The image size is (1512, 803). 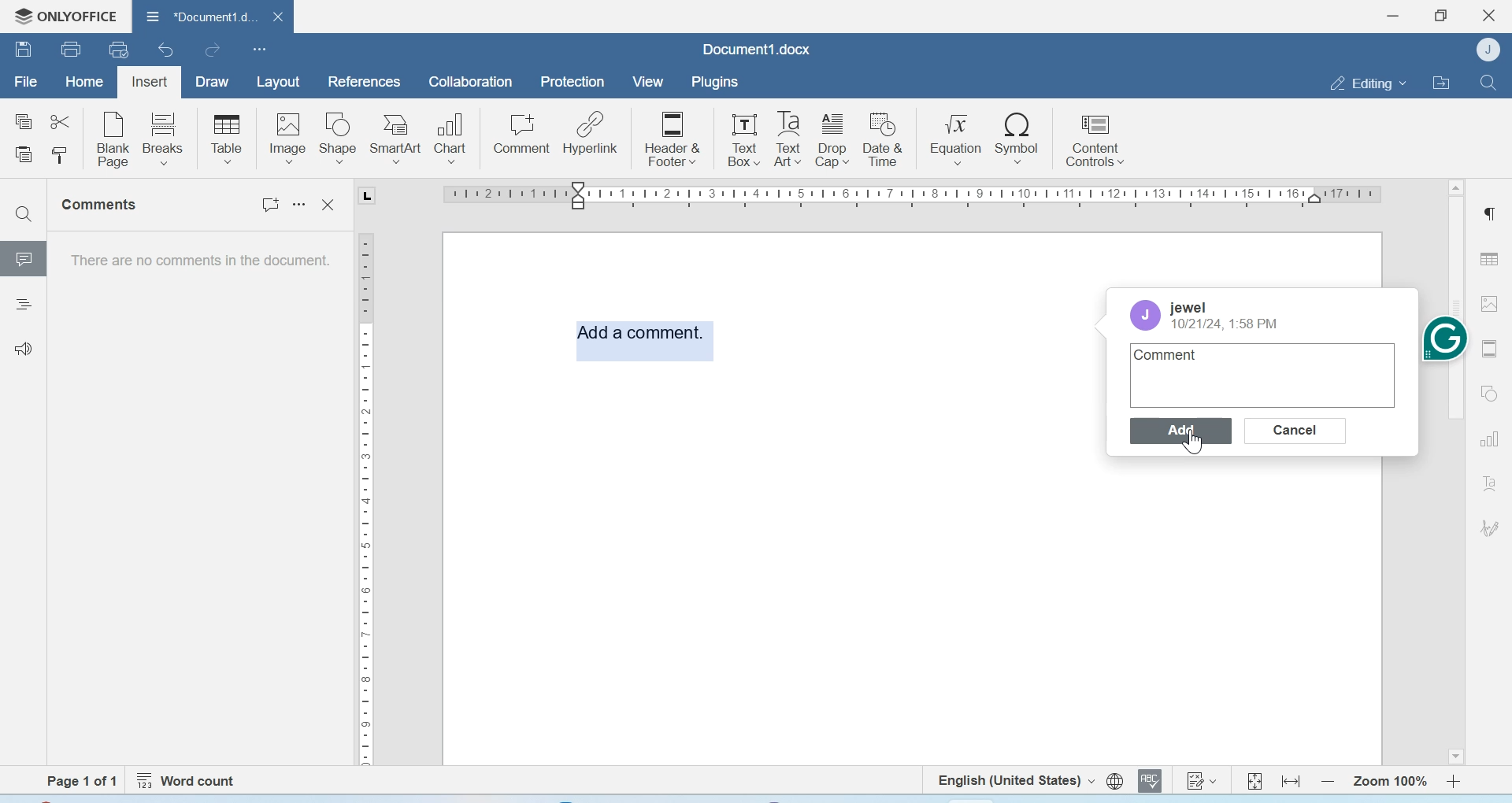 I want to click on Collaboration, so click(x=471, y=82).